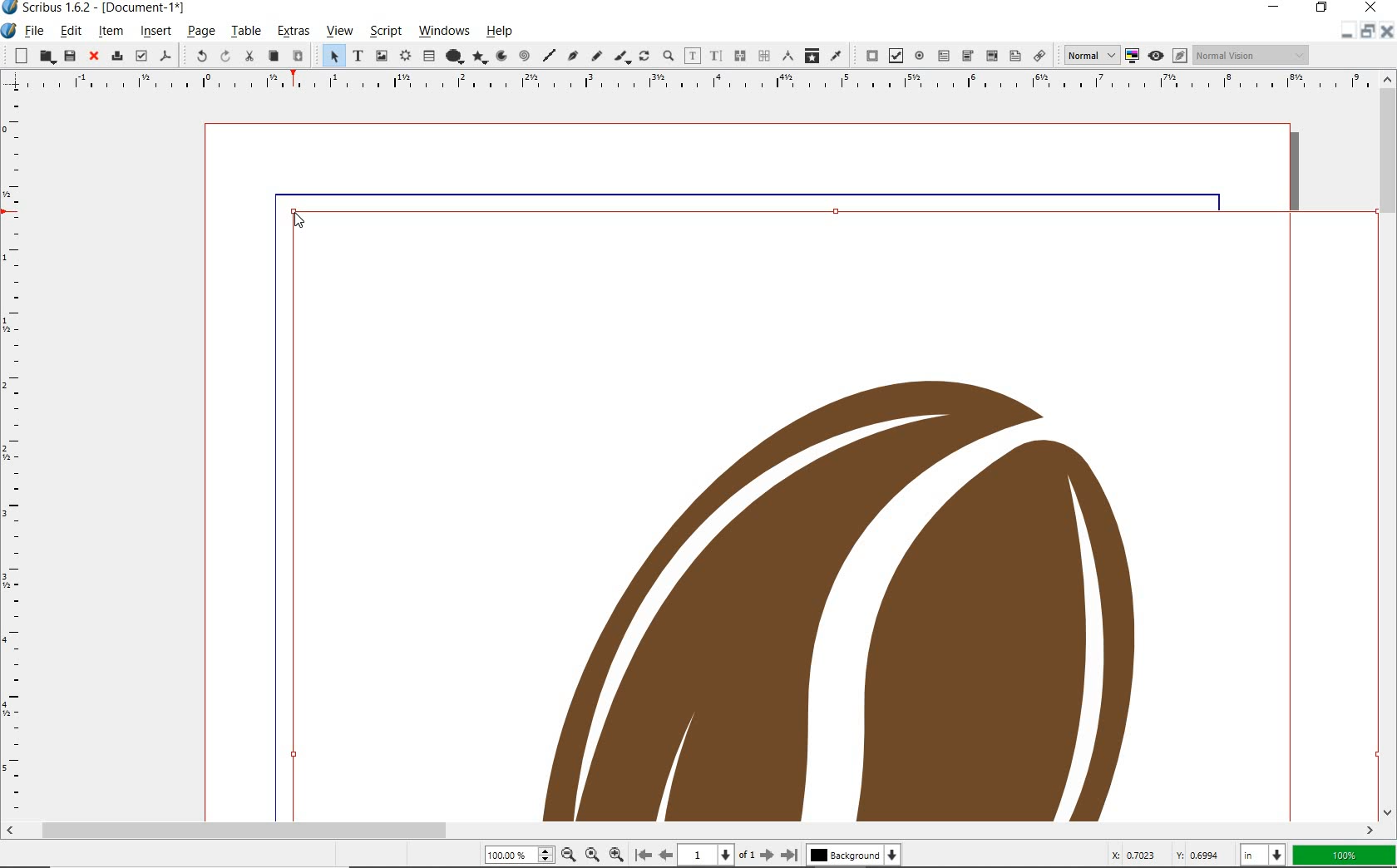 The height and width of the screenshot is (868, 1397). I want to click on Zoom Out, so click(569, 855).